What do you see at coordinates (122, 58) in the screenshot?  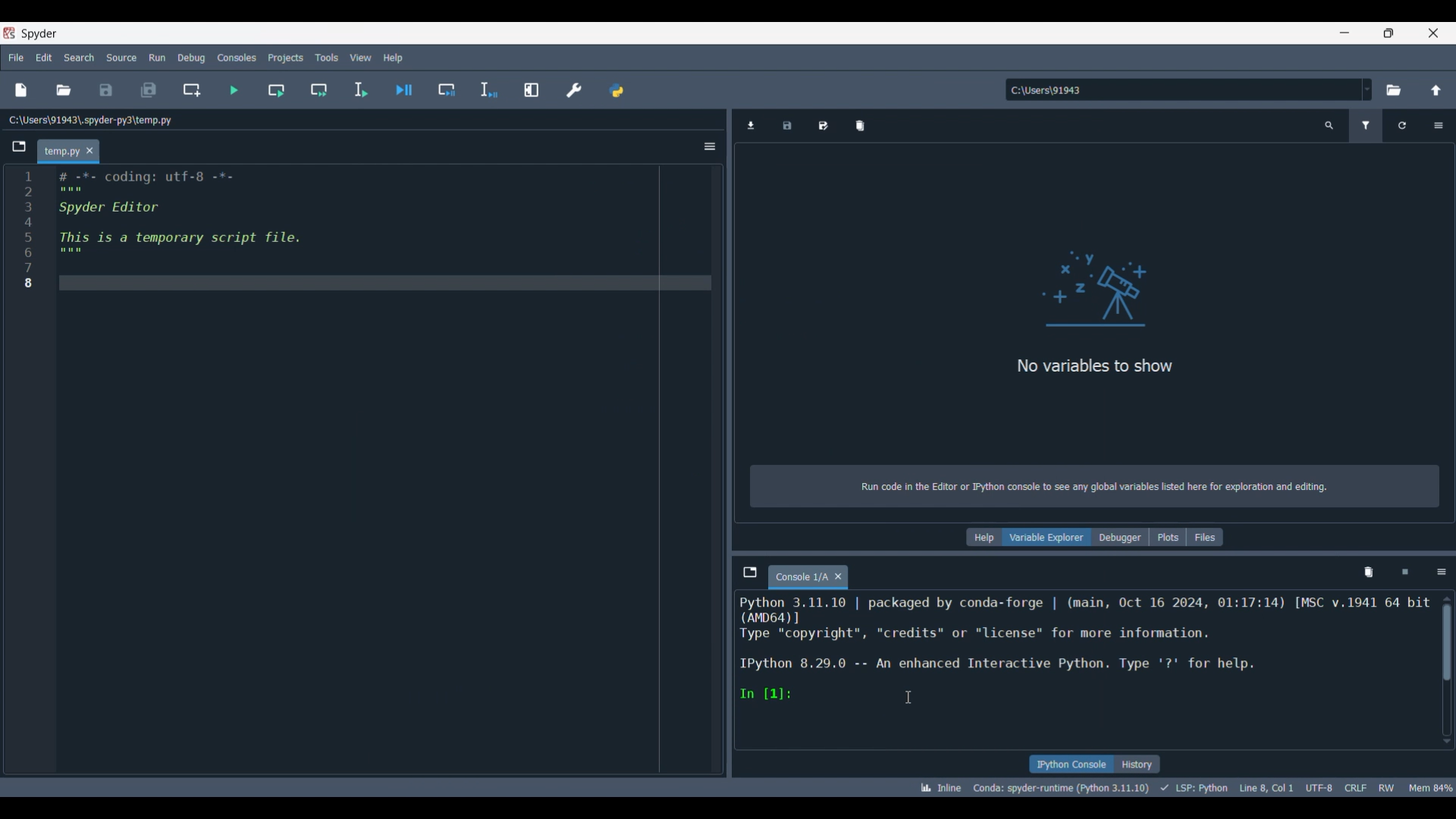 I see `Source menu` at bounding box center [122, 58].